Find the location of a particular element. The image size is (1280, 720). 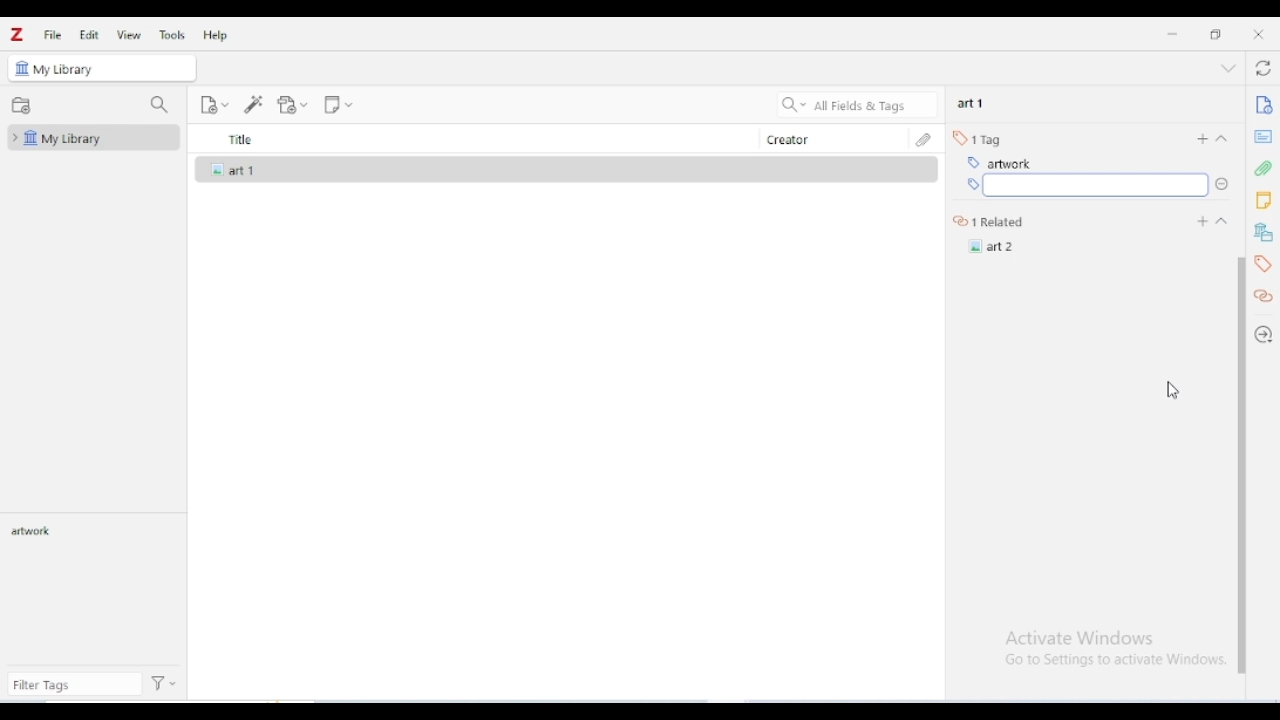

artwork is located at coordinates (35, 532).